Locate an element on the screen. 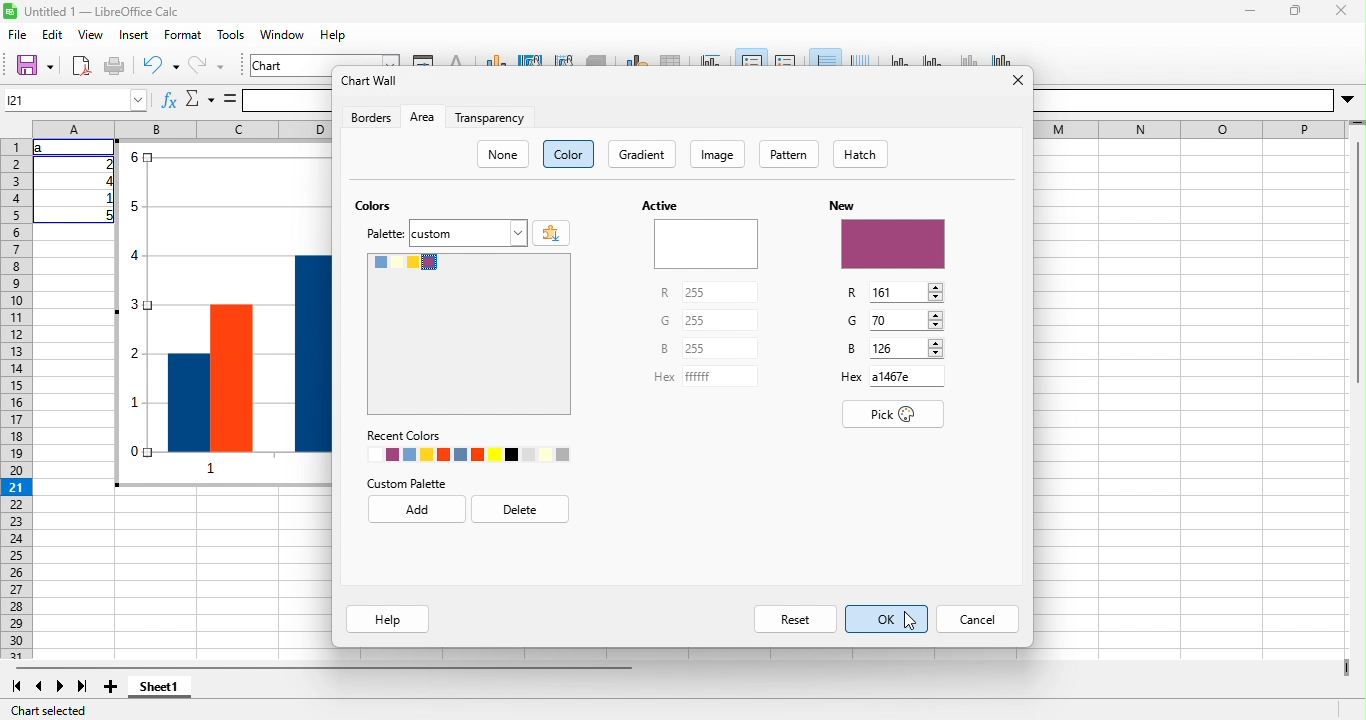  B is located at coordinates (852, 348).